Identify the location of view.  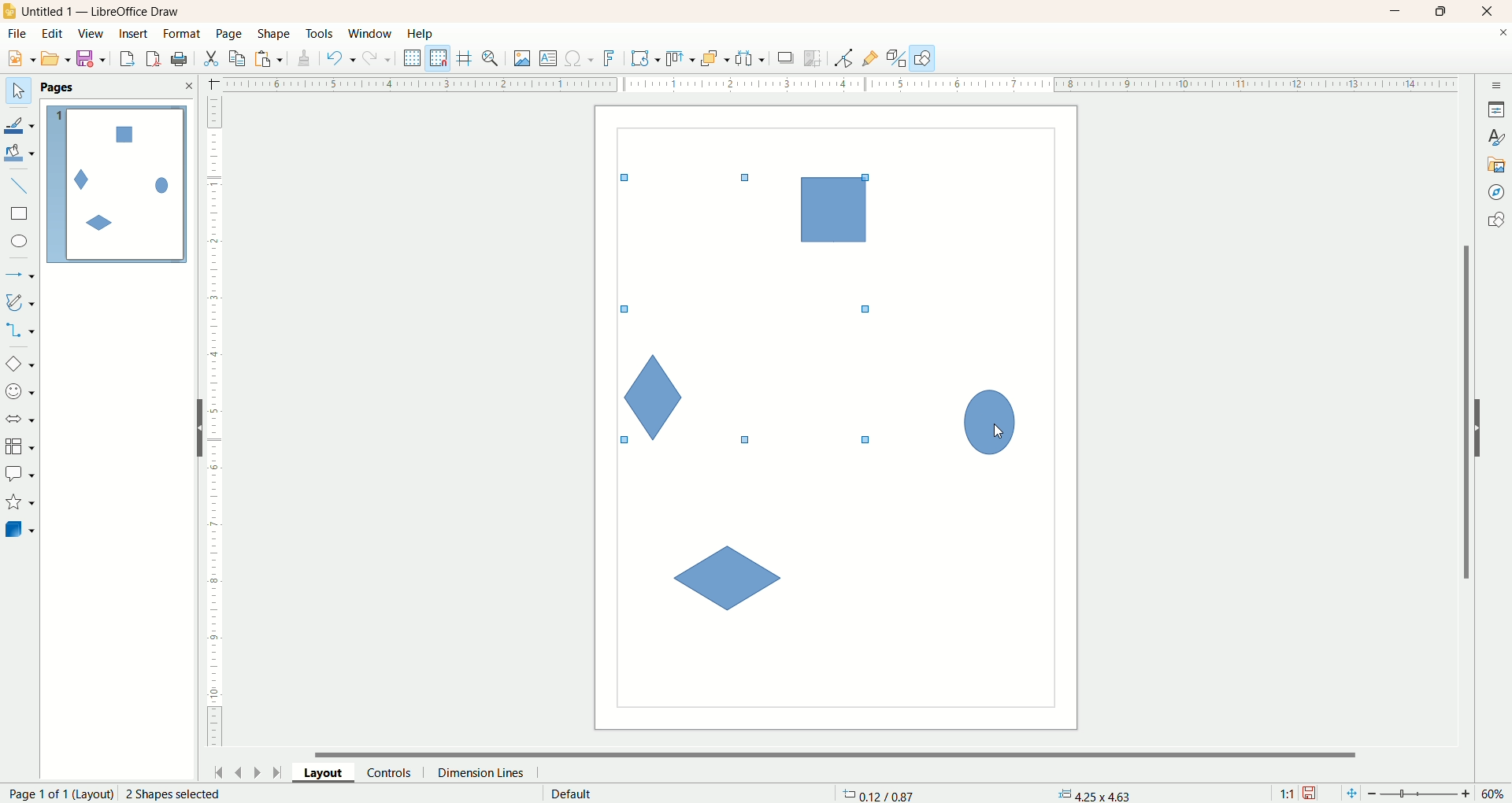
(92, 34).